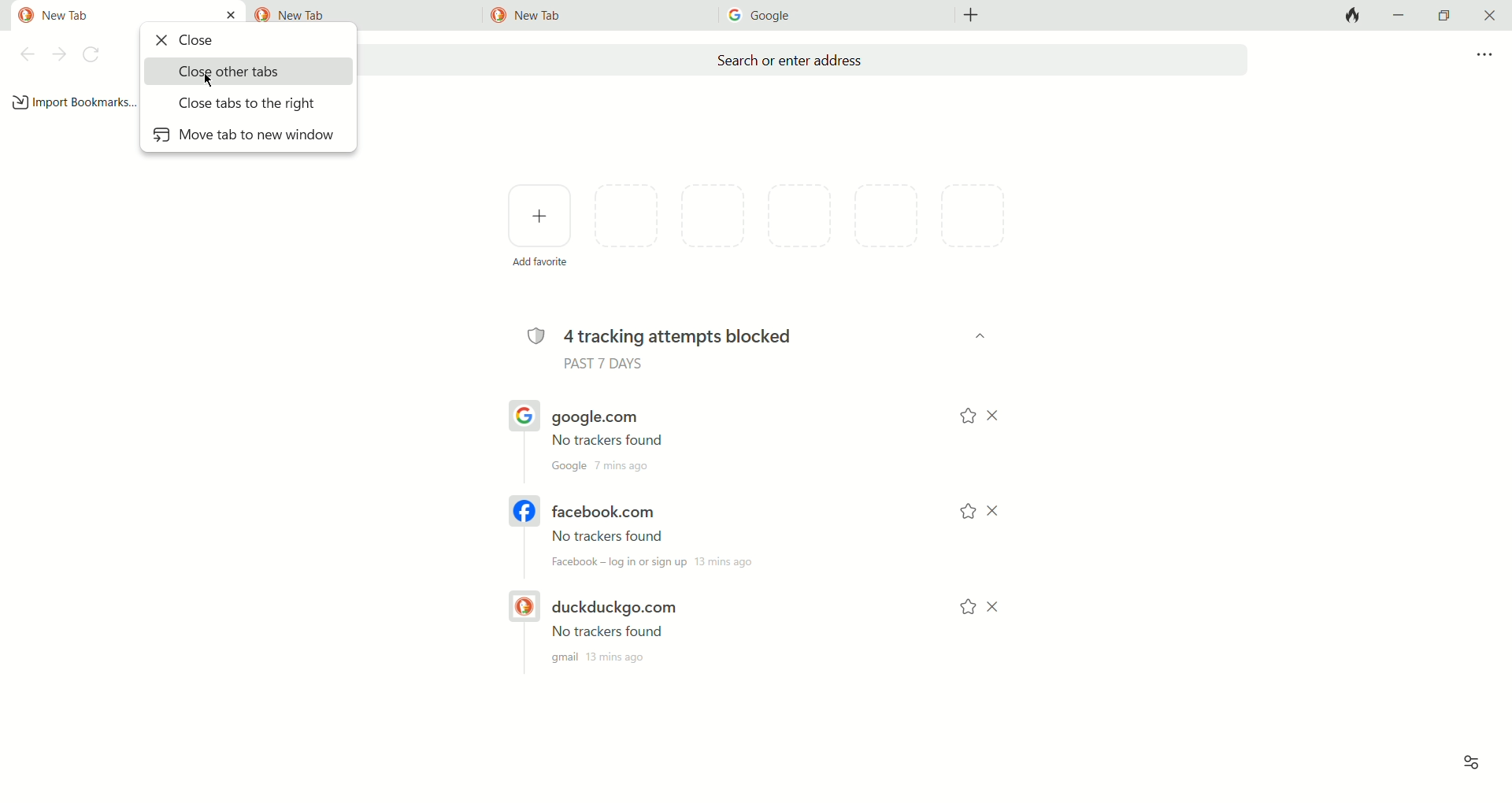 The height and width of the screenshot is (803, 1512). I want to click on add to favorites, so click(965, 511).